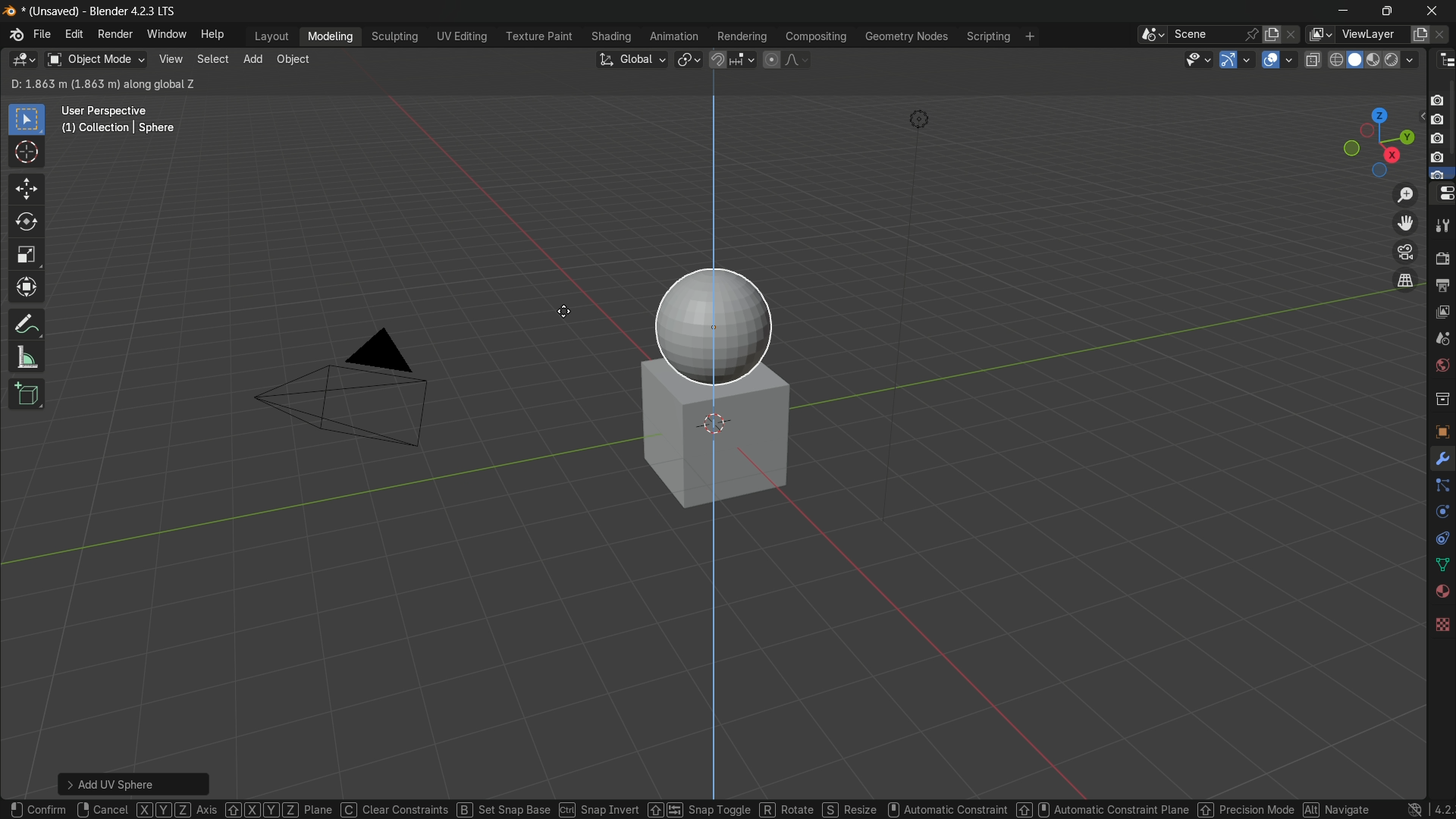 The width and height of the screenshot is (1456, 819). Describe the element at coordinates (31, 394) in the screenshot. I see `add cube` at that location.